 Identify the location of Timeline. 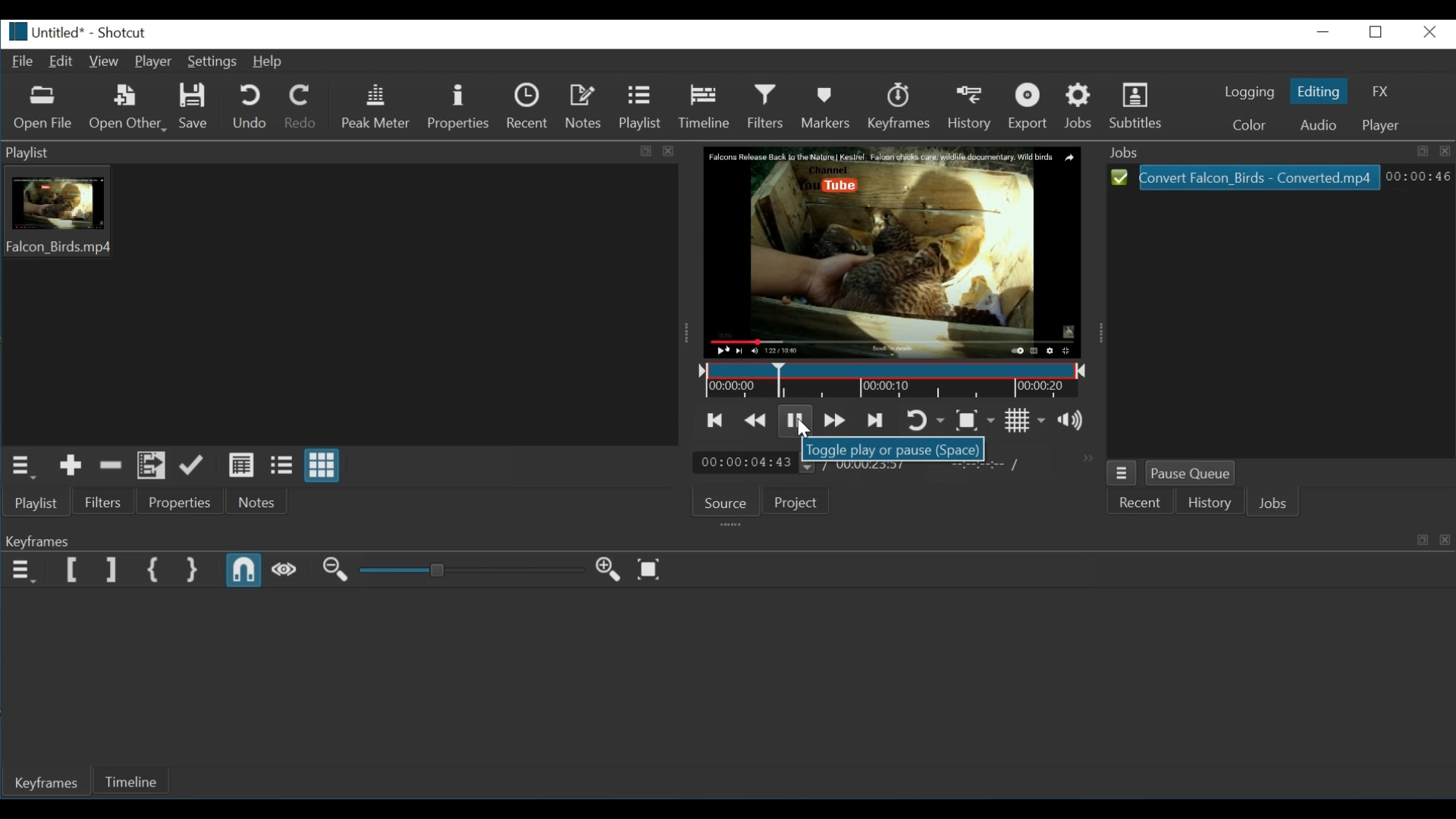
(131, 783).